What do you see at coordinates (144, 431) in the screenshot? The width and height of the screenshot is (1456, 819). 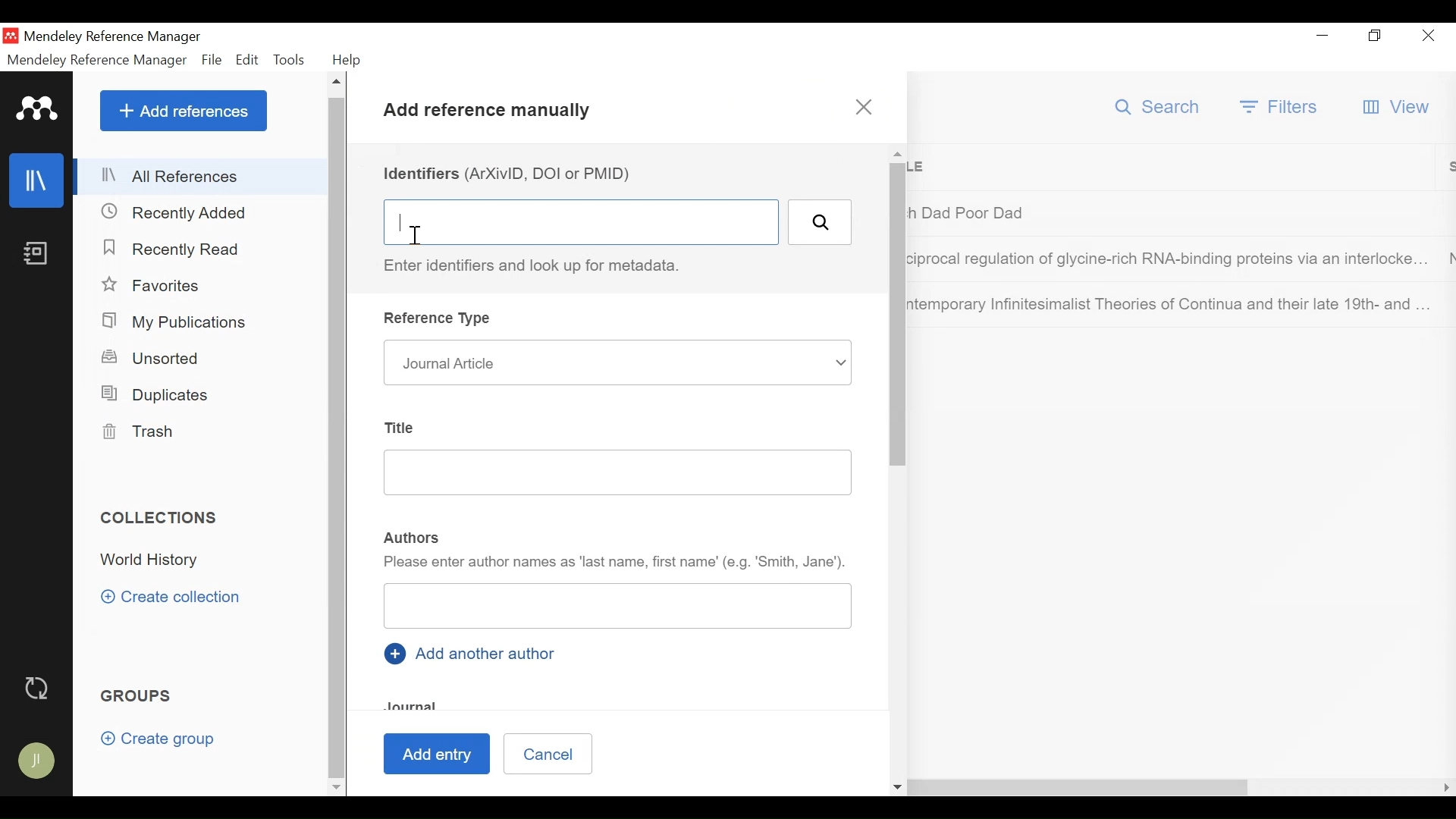 I see `Trash` at bounding box center [144, 431].